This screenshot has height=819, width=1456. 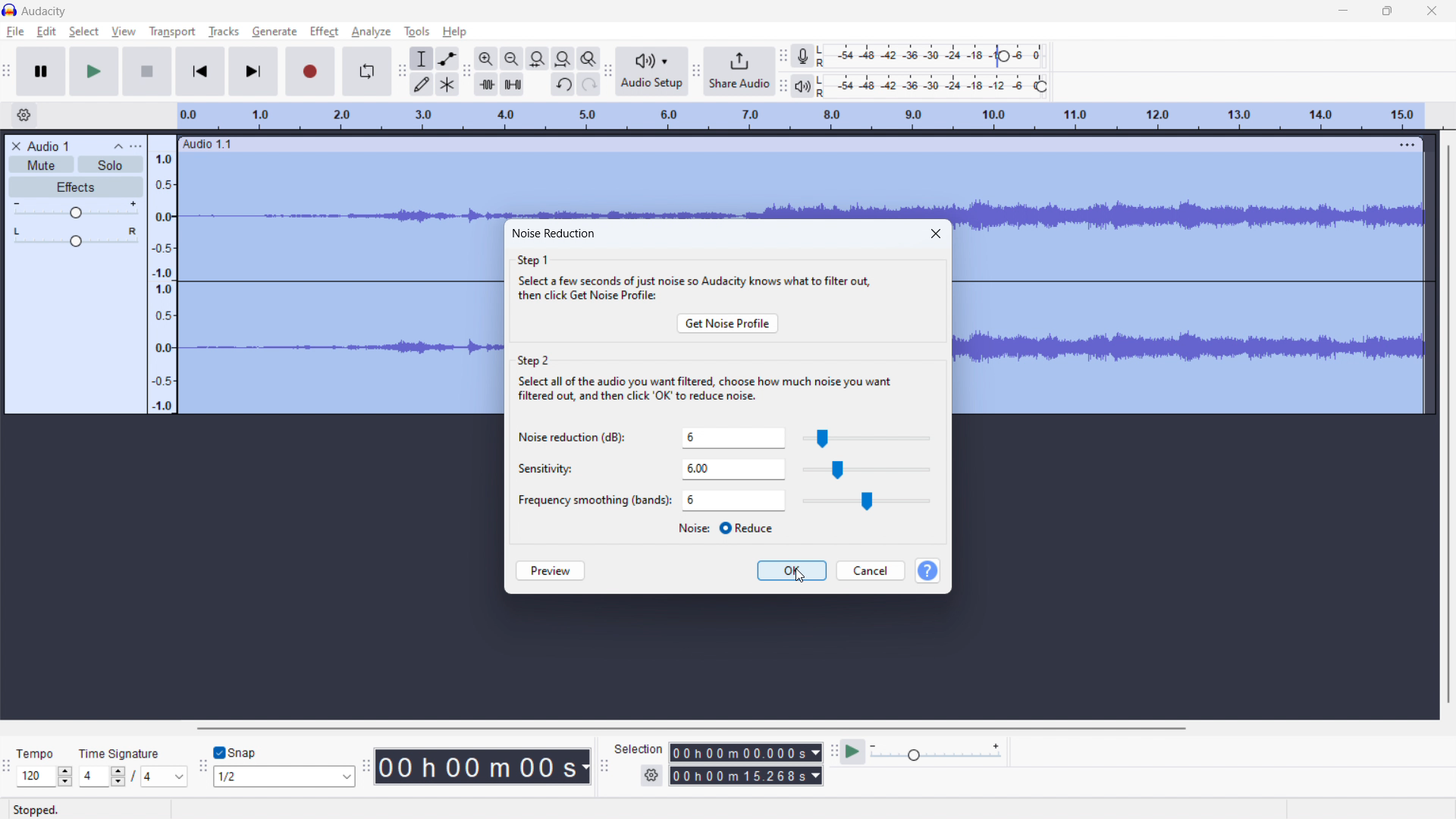 I want to click on , so click(x=591, y=501).